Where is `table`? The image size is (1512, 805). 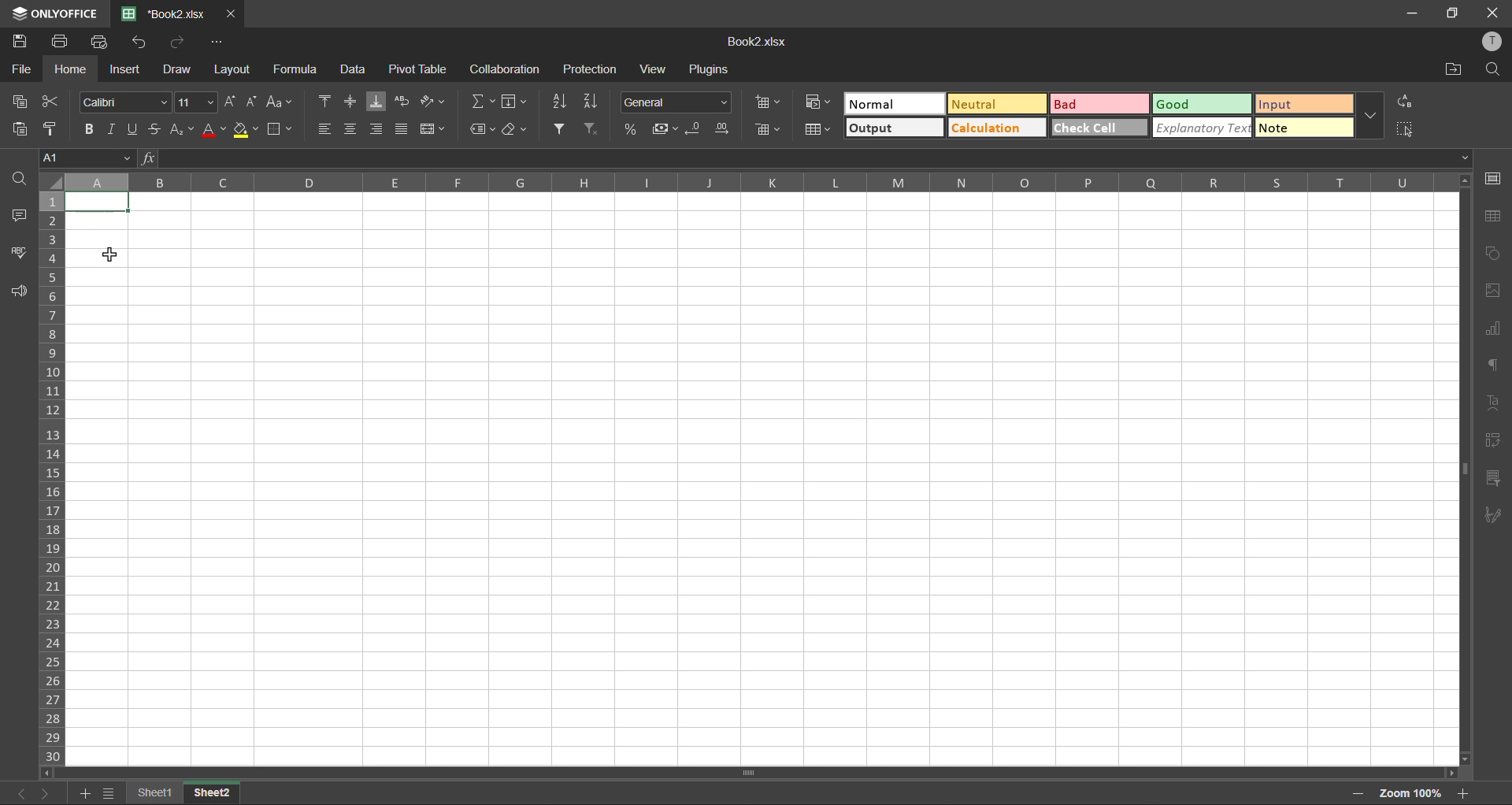 table is located at coordinates (1495, 217).